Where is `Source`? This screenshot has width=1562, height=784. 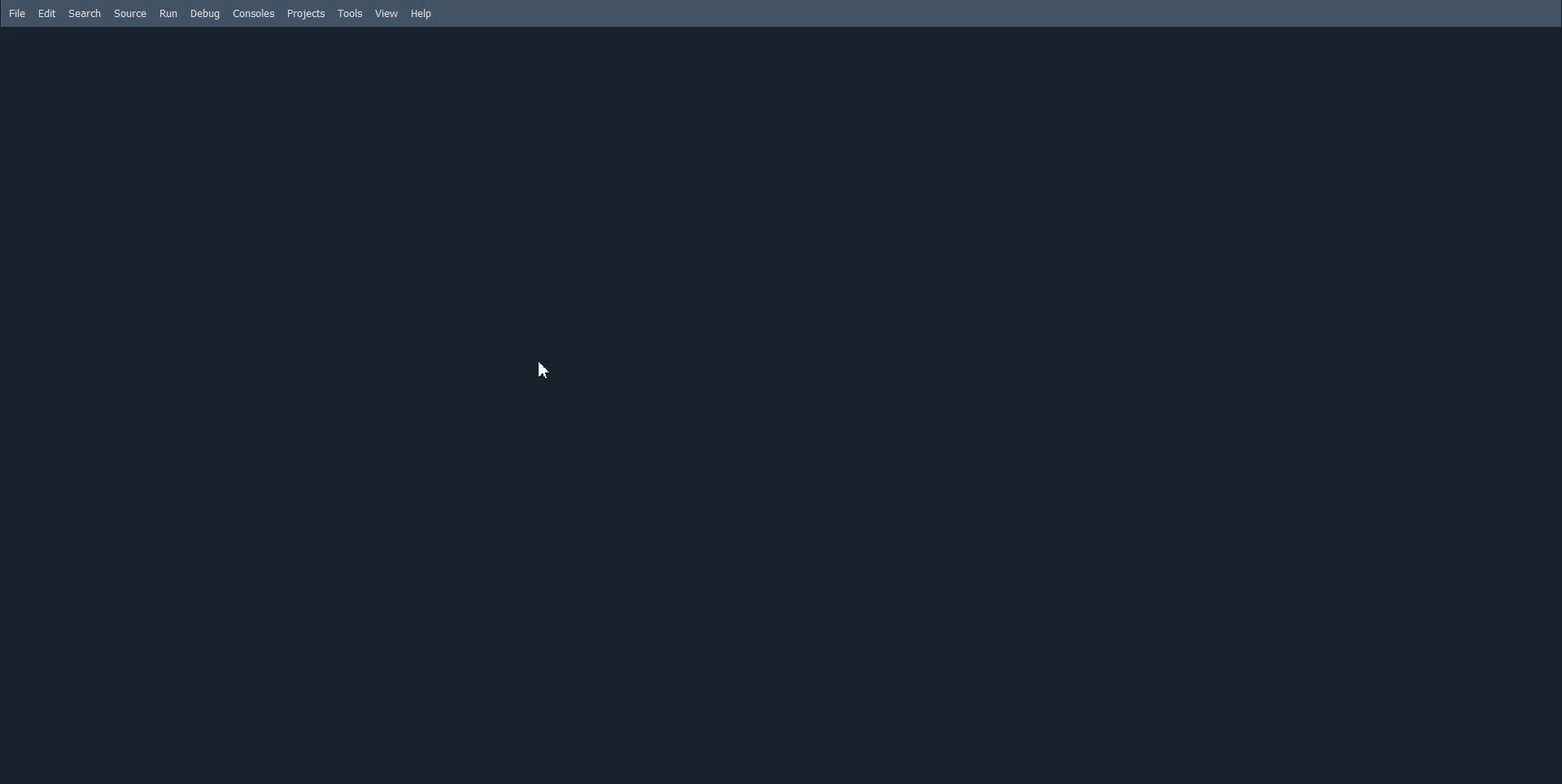 Source is located at coordinates (131, 14).